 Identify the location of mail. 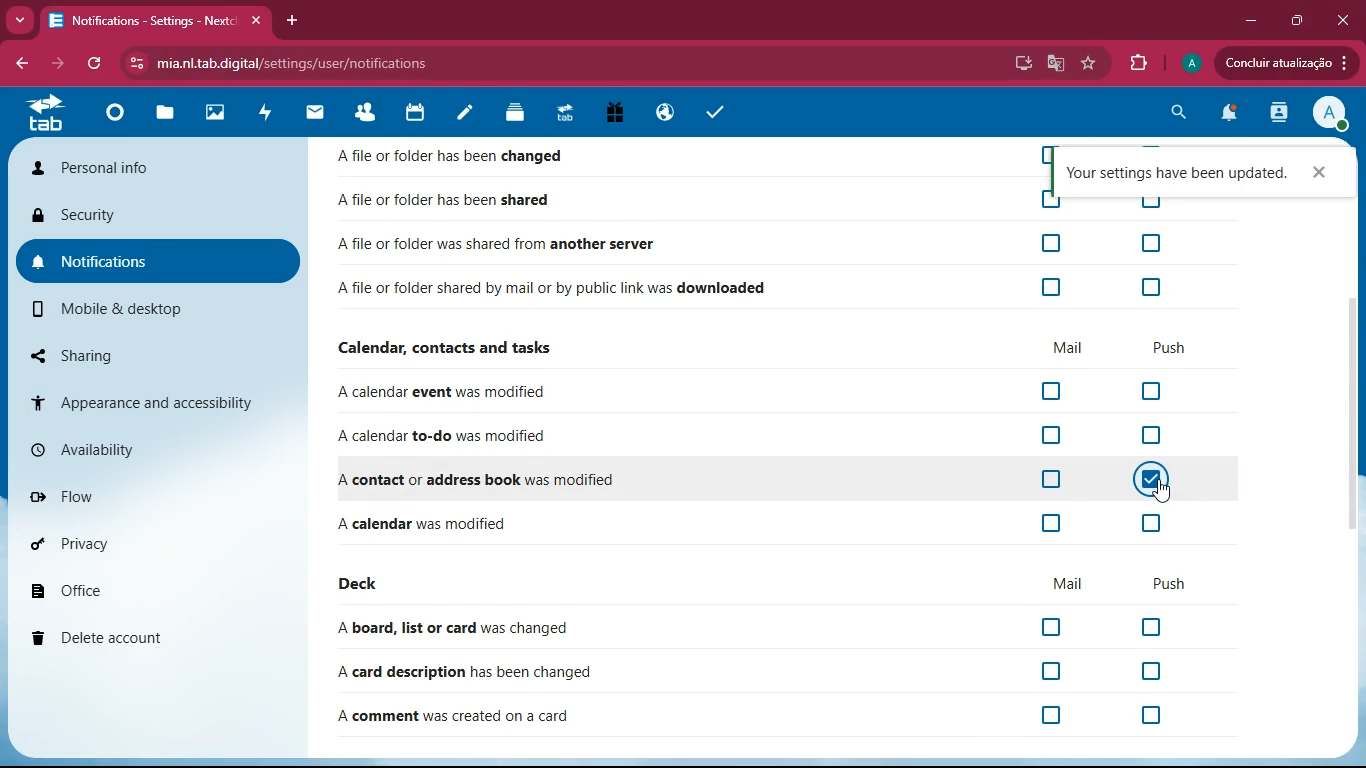
(1064, 349).